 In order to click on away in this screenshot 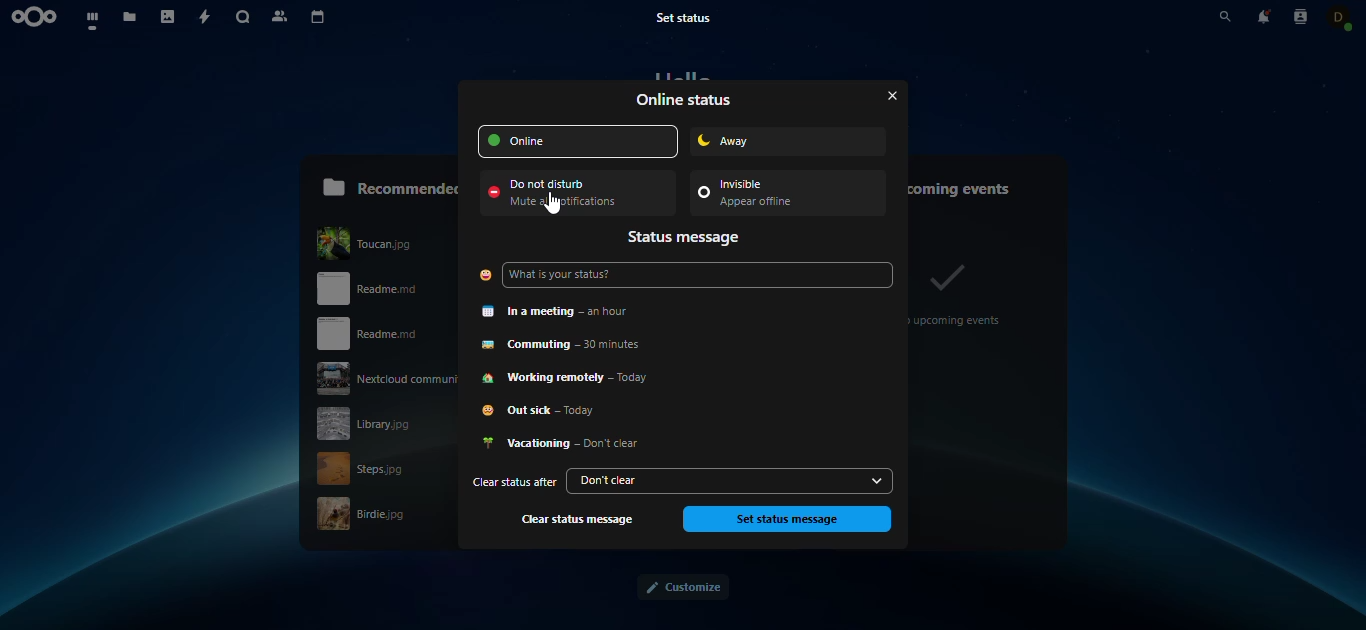, I will do `click(760, 140)`.